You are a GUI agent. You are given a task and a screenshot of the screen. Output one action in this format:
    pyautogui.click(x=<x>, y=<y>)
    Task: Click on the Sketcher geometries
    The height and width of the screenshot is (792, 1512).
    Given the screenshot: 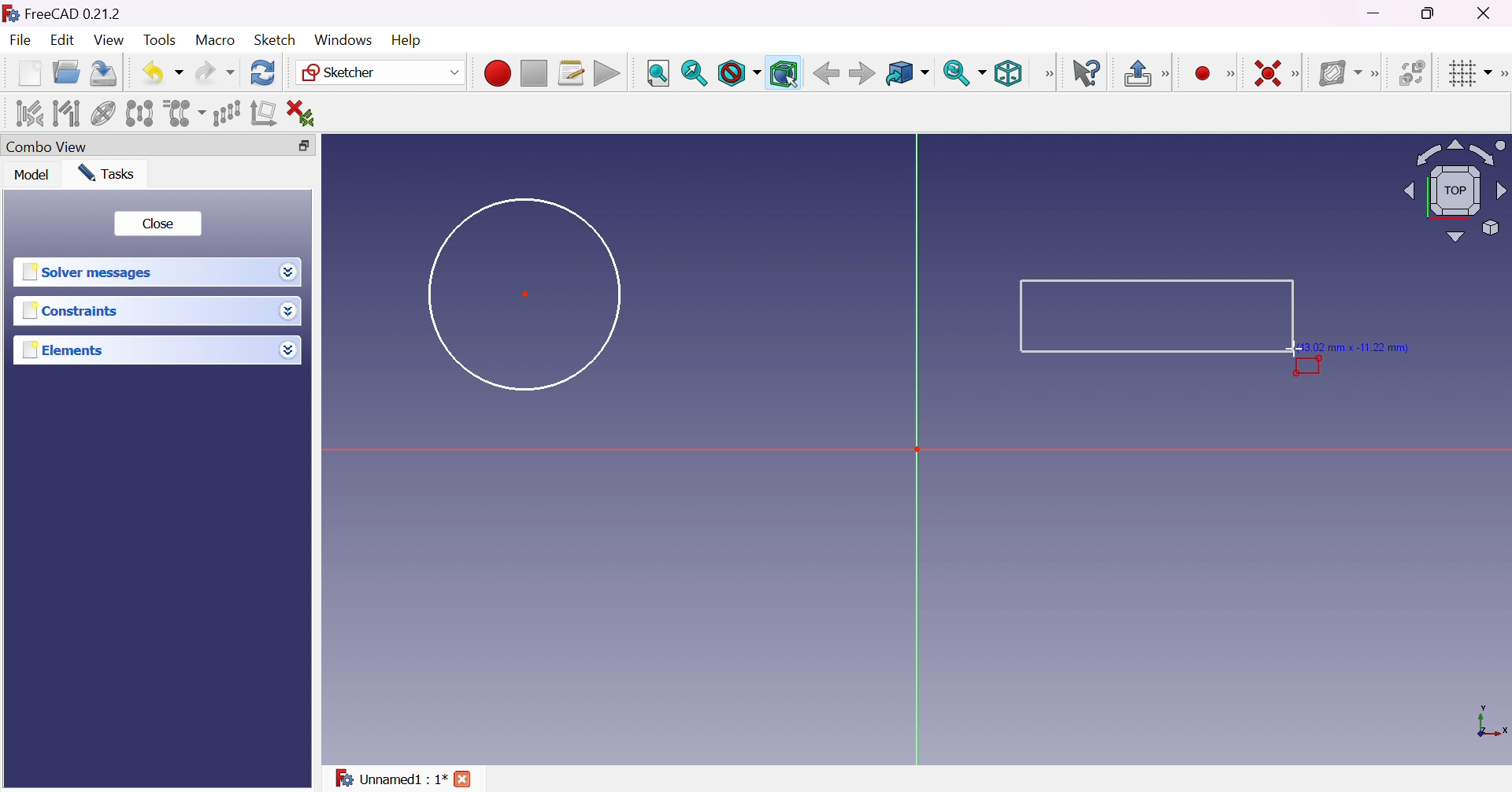 What is the action you would take?
    pyautogui.click(x=1230, y=75)
    